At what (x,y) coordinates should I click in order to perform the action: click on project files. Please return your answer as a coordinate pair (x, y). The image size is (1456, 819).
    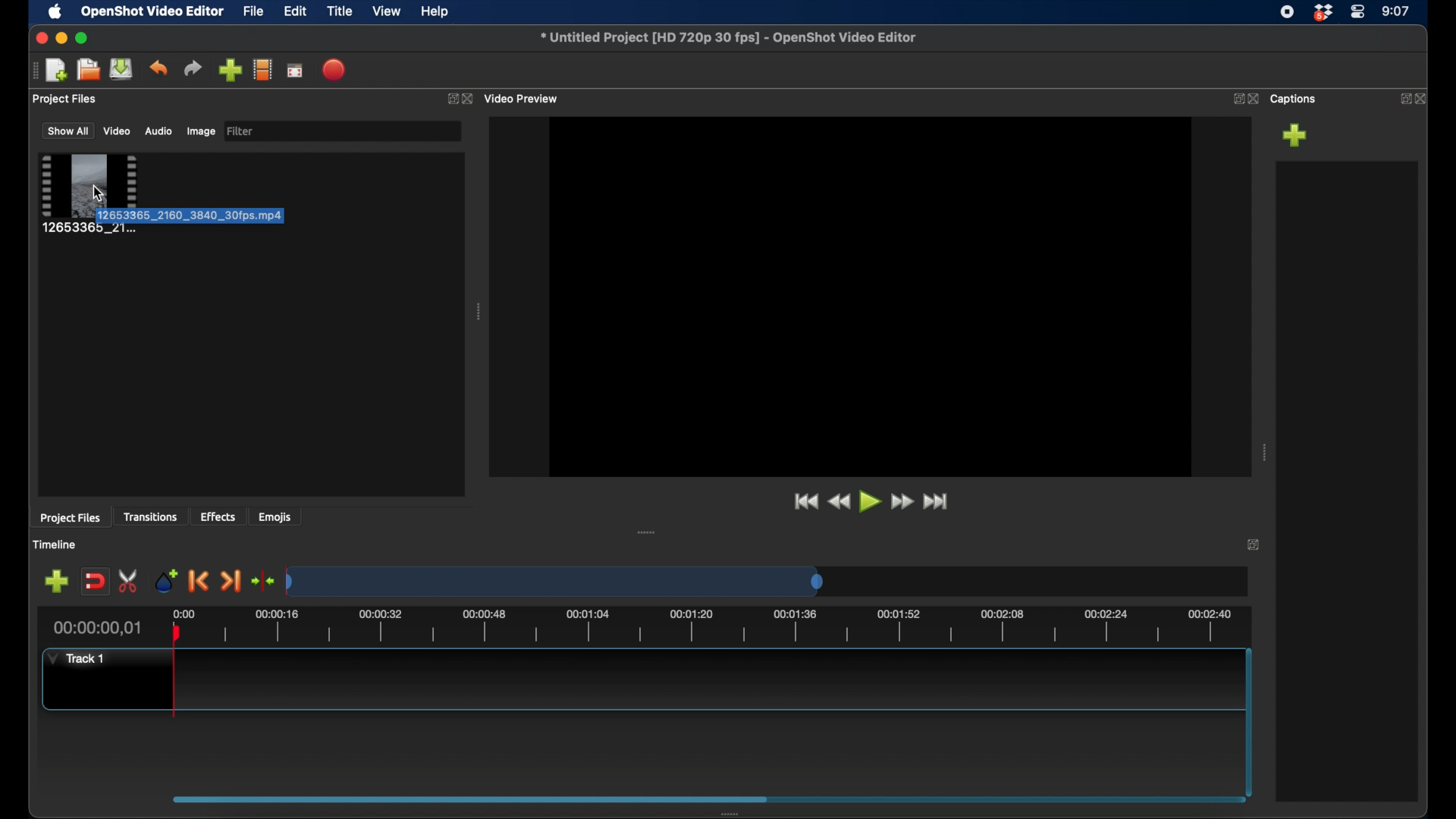
    Looking at the image, I should click on (66, 99).